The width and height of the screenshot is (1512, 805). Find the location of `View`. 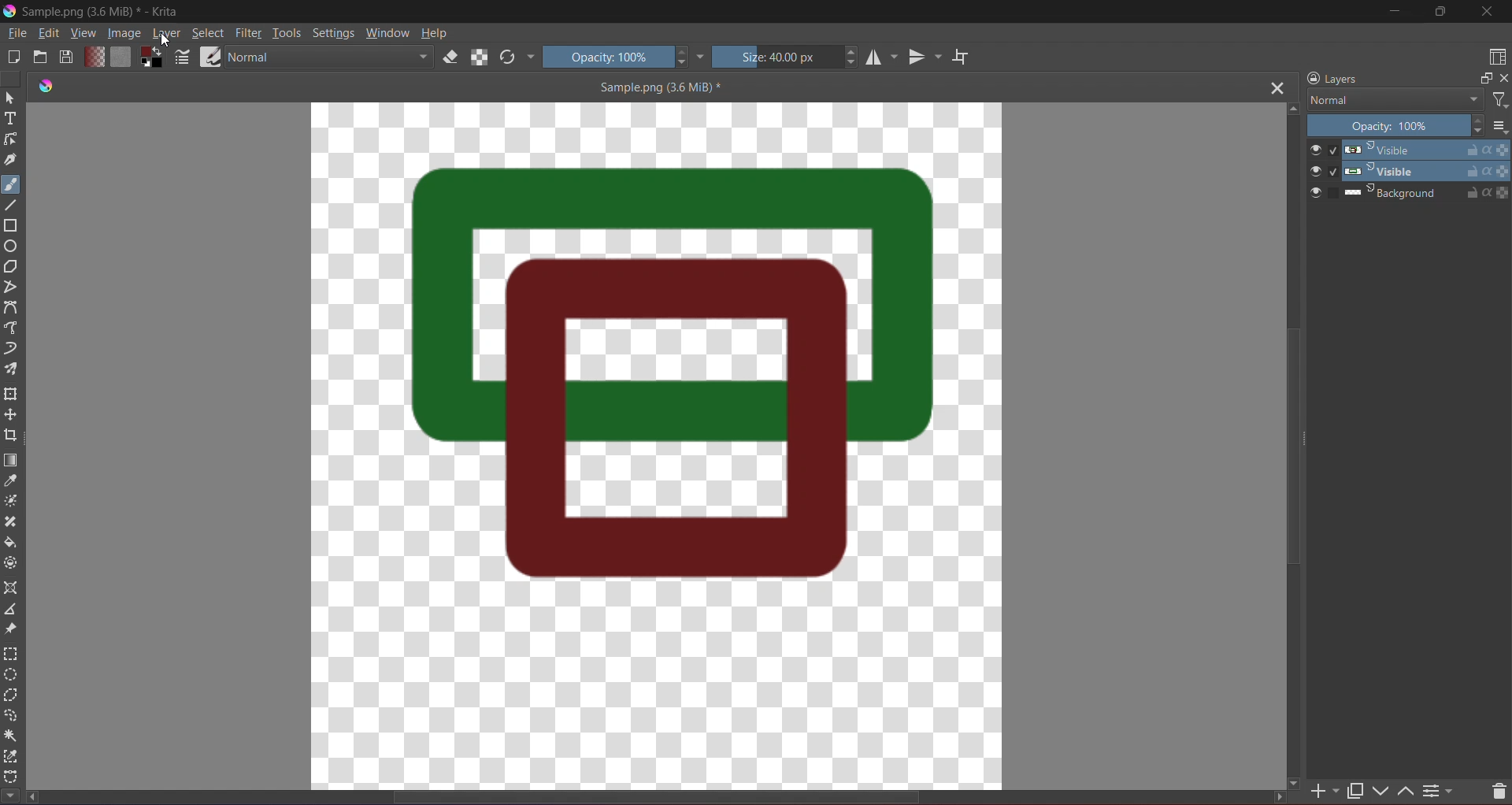

View is located at coordinates (81, 34).